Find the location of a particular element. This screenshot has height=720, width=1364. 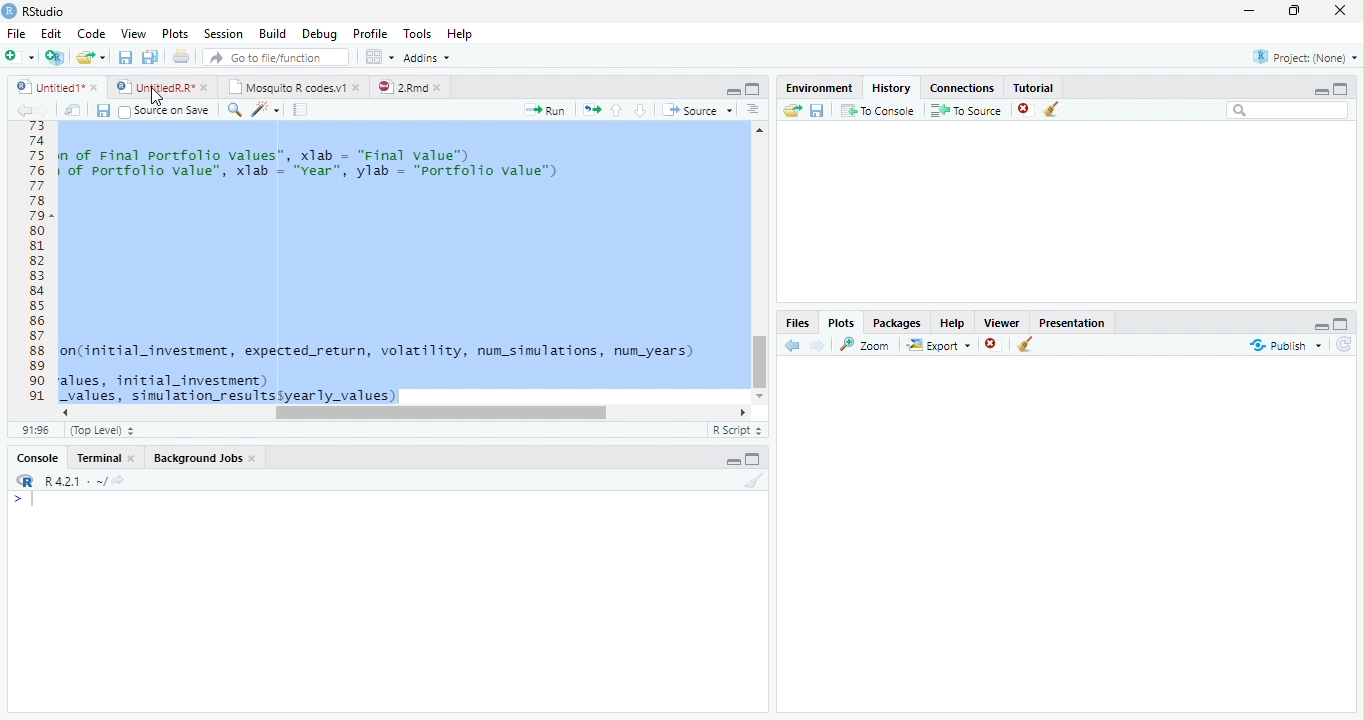

Help is located at coordinates (462, 35).